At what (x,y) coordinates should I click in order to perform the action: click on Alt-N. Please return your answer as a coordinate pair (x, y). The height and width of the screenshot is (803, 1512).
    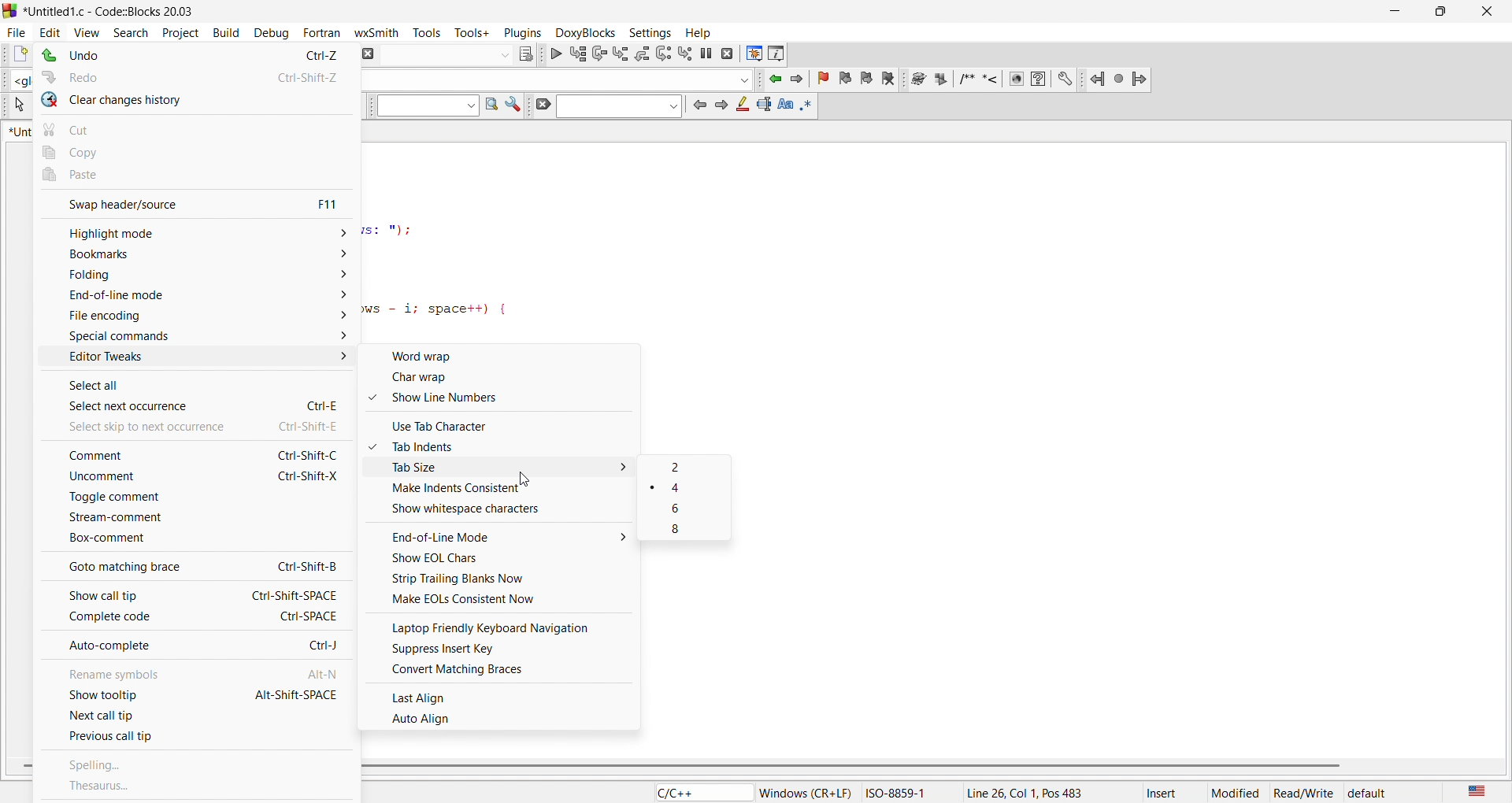
    Looking at the image, I should click on (323, 673).